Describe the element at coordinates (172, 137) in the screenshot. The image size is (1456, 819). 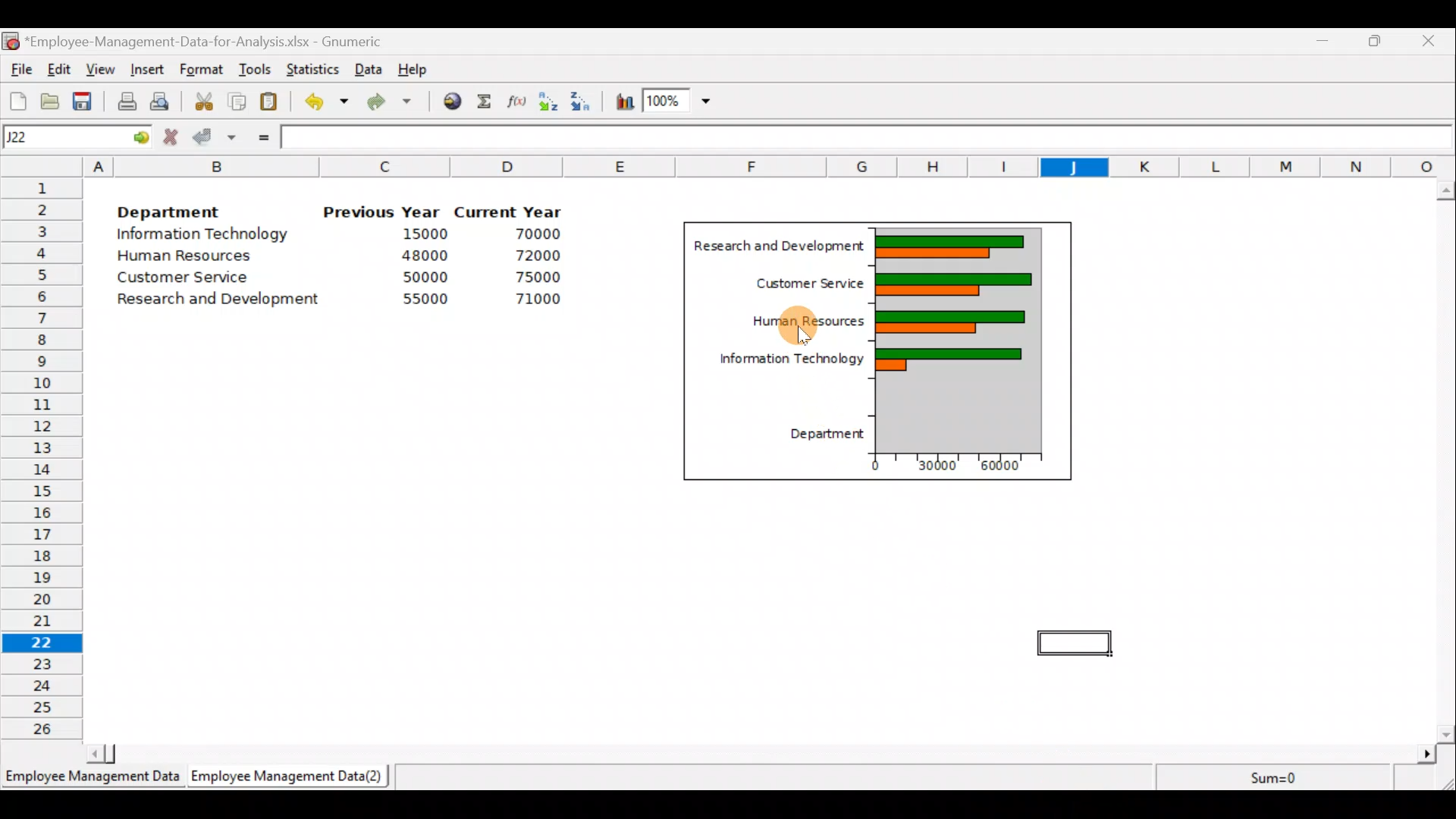
I see `Cancel change` at that location.